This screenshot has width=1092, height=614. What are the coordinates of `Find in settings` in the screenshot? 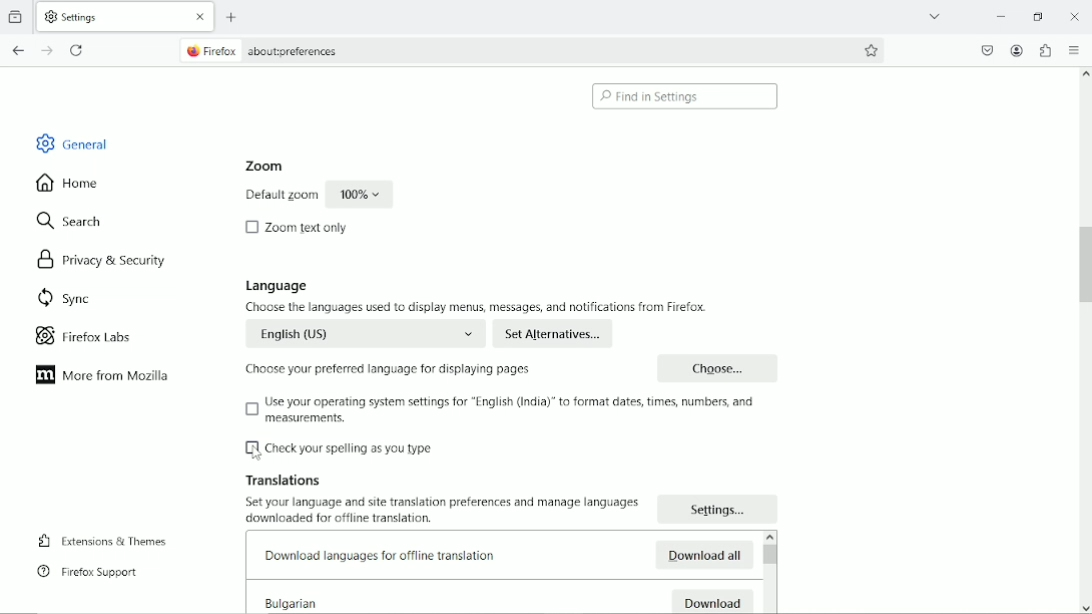 It's located at (685, 97).